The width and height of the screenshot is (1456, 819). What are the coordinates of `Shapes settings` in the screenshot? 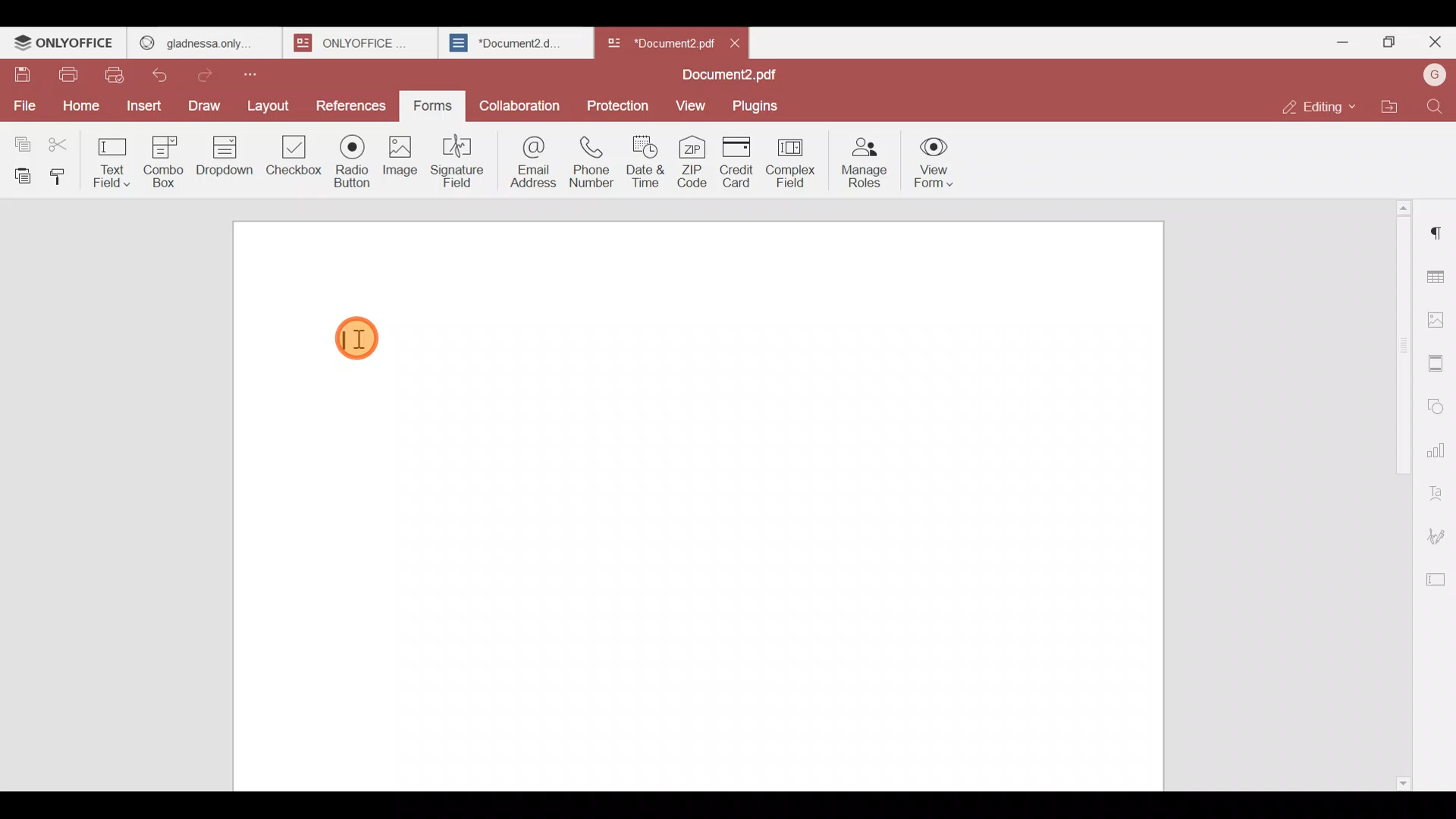 It's located at (1439, 406).